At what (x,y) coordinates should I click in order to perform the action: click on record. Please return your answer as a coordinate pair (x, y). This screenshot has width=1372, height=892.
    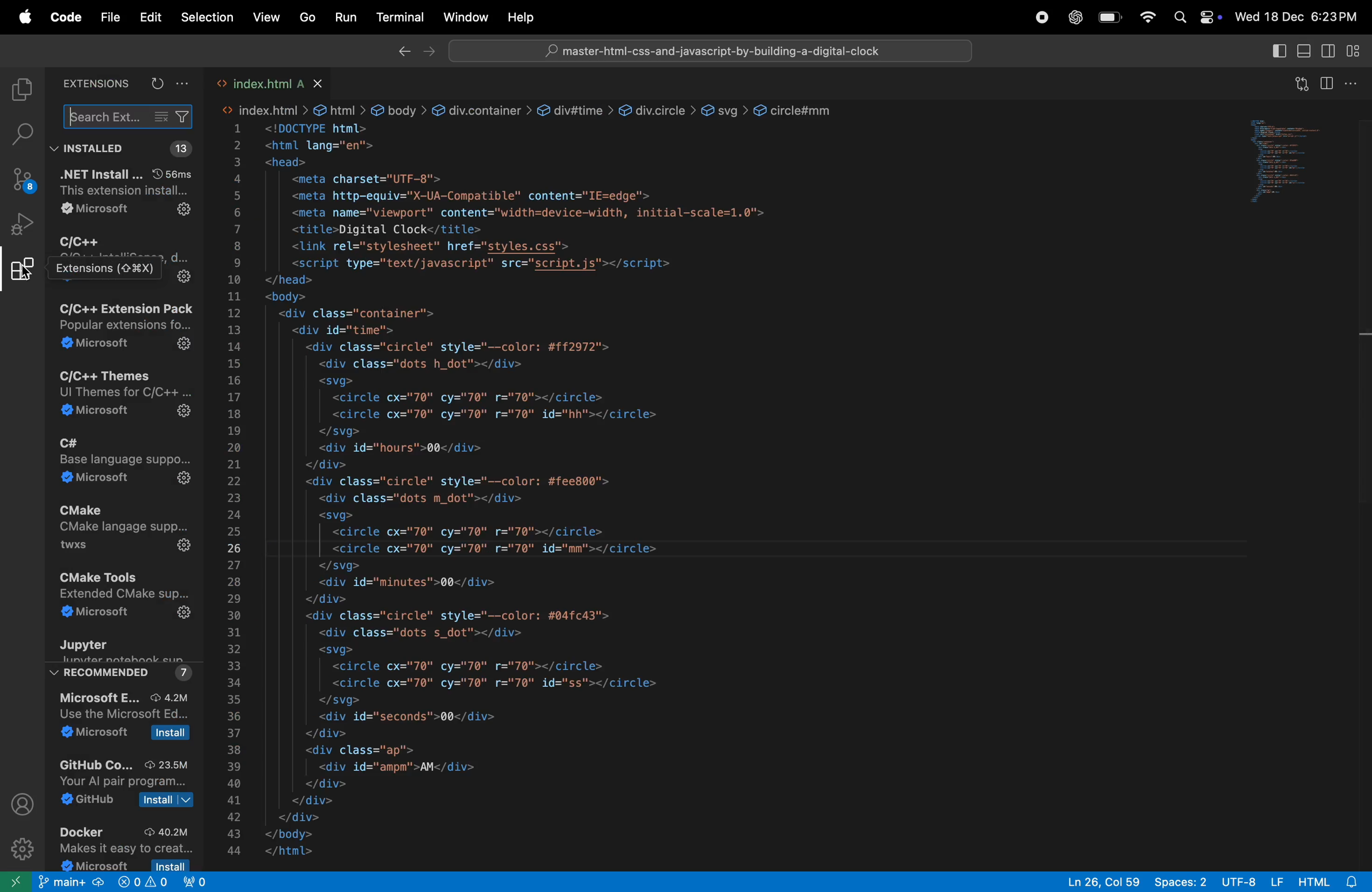
    Looking at the image, I should click on (1041, 18).